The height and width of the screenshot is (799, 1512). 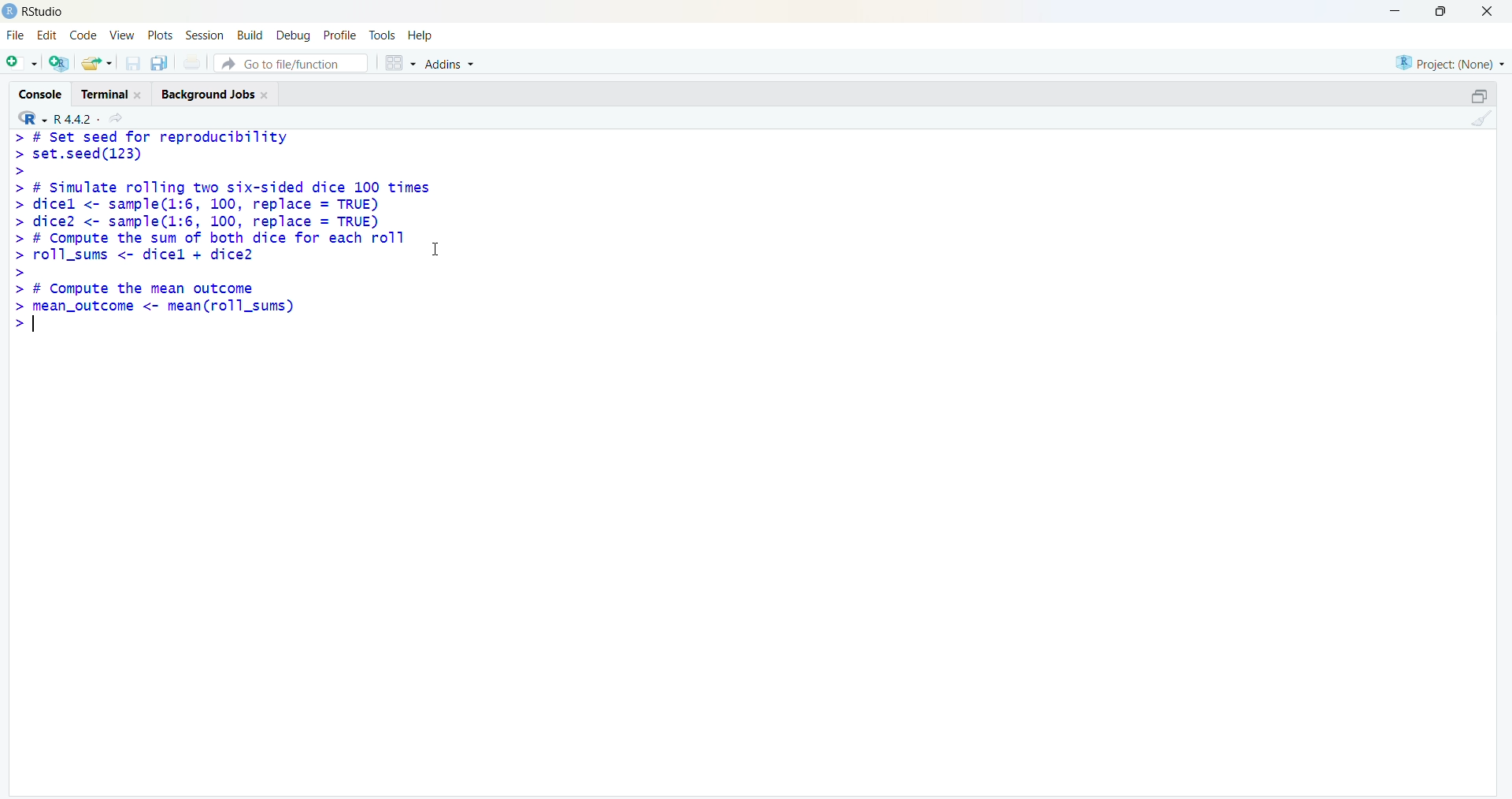 I want to click on Background jobs, so click(x=207, y=96).